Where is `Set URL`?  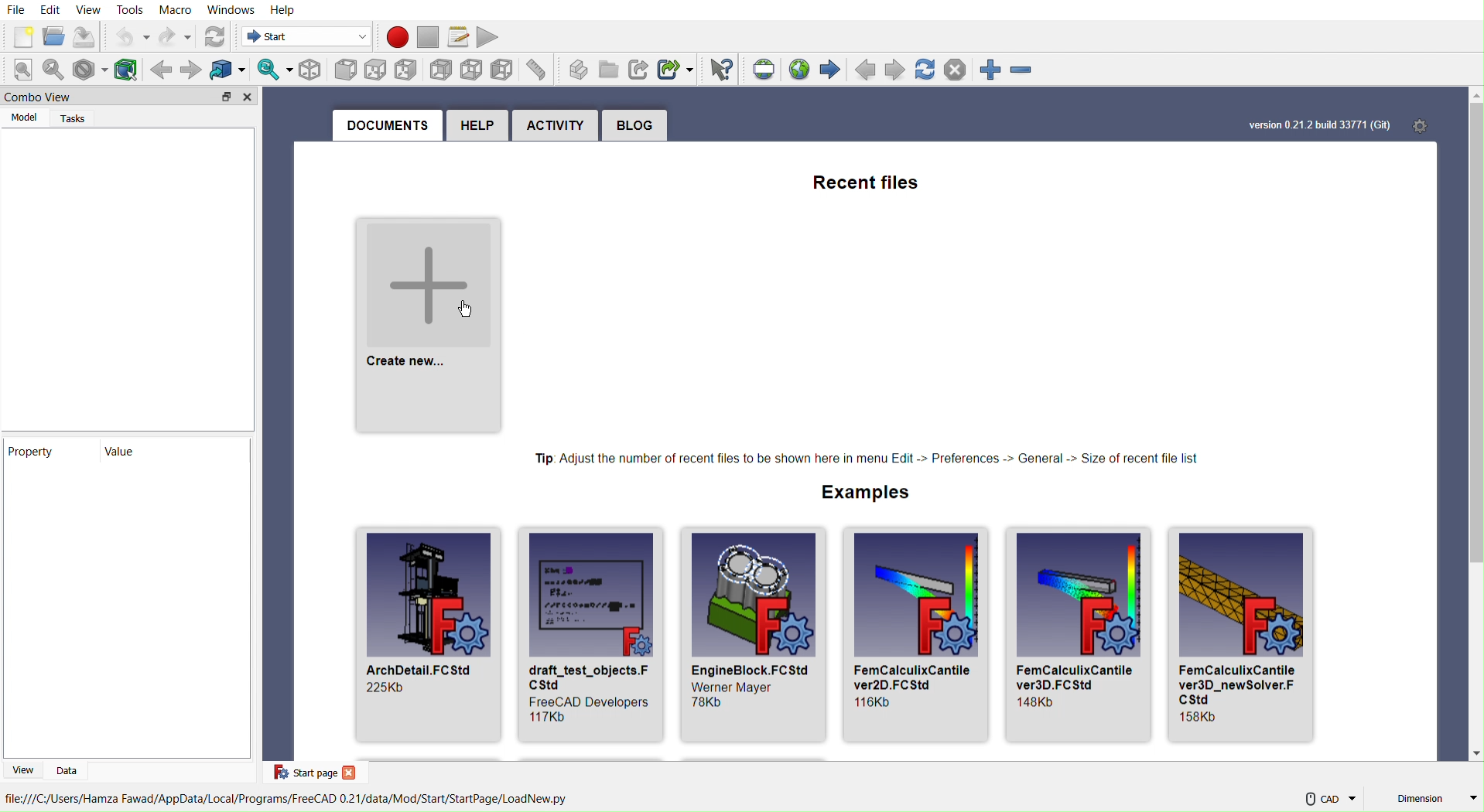 Set URL is located at coordinates (764, 68).